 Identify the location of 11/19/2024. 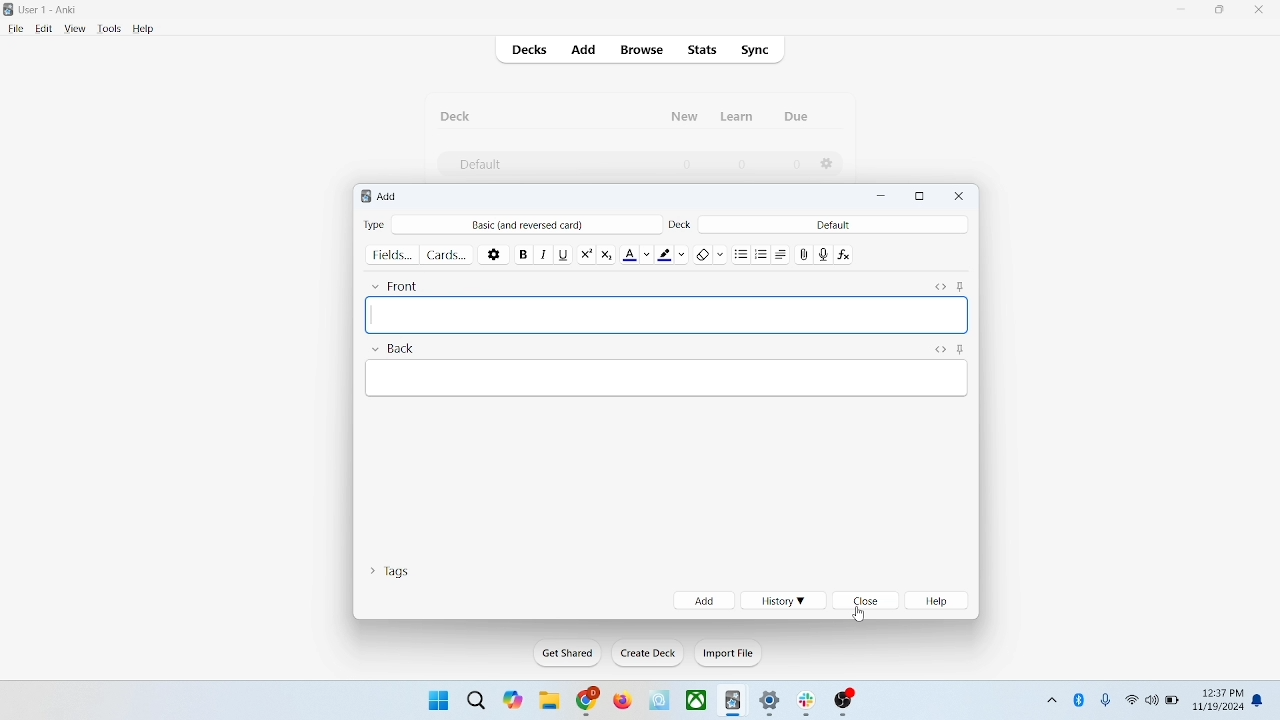
(1217, 708).